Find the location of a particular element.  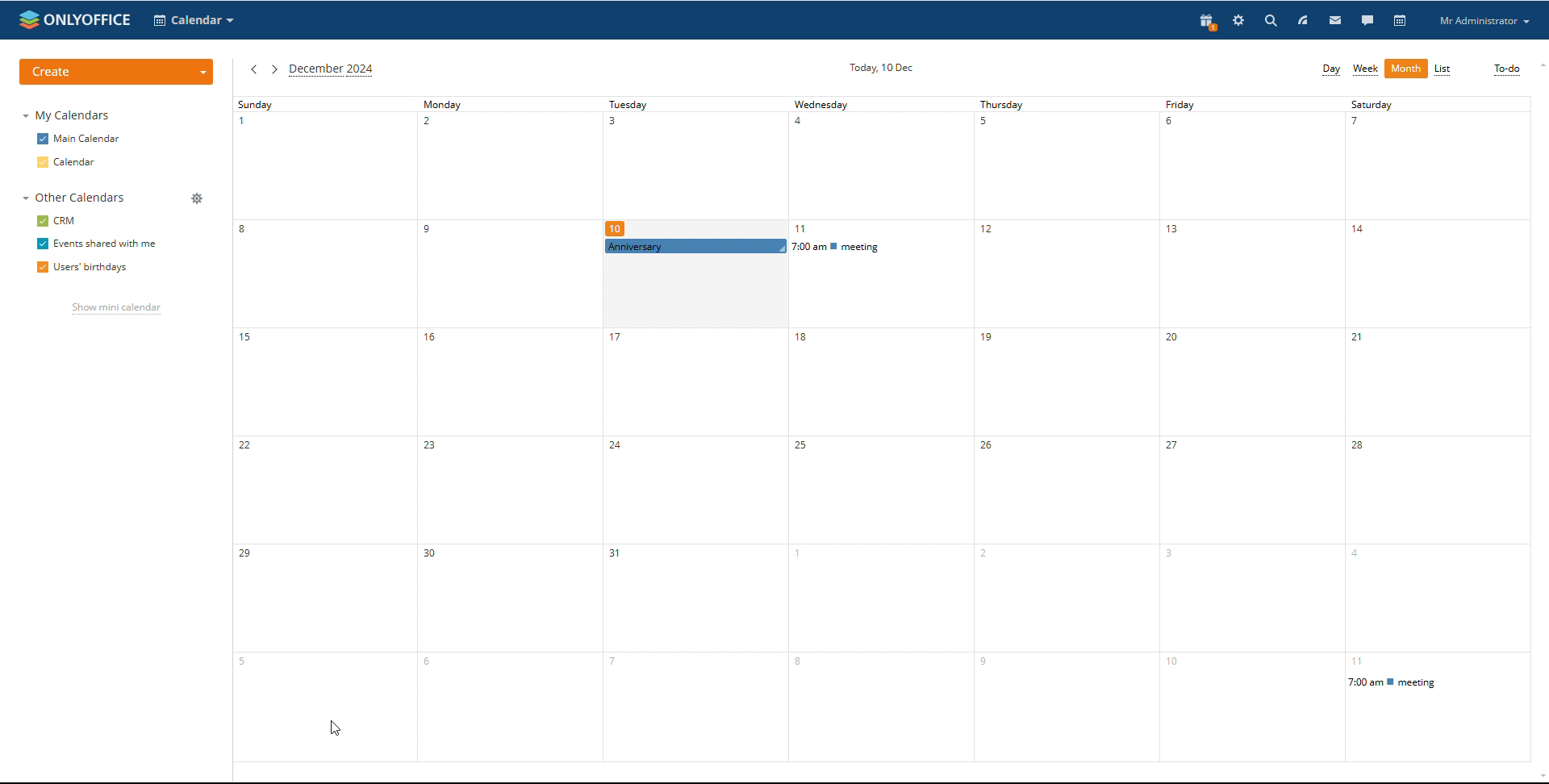

events shared with me is located at coordinates (97, 244).